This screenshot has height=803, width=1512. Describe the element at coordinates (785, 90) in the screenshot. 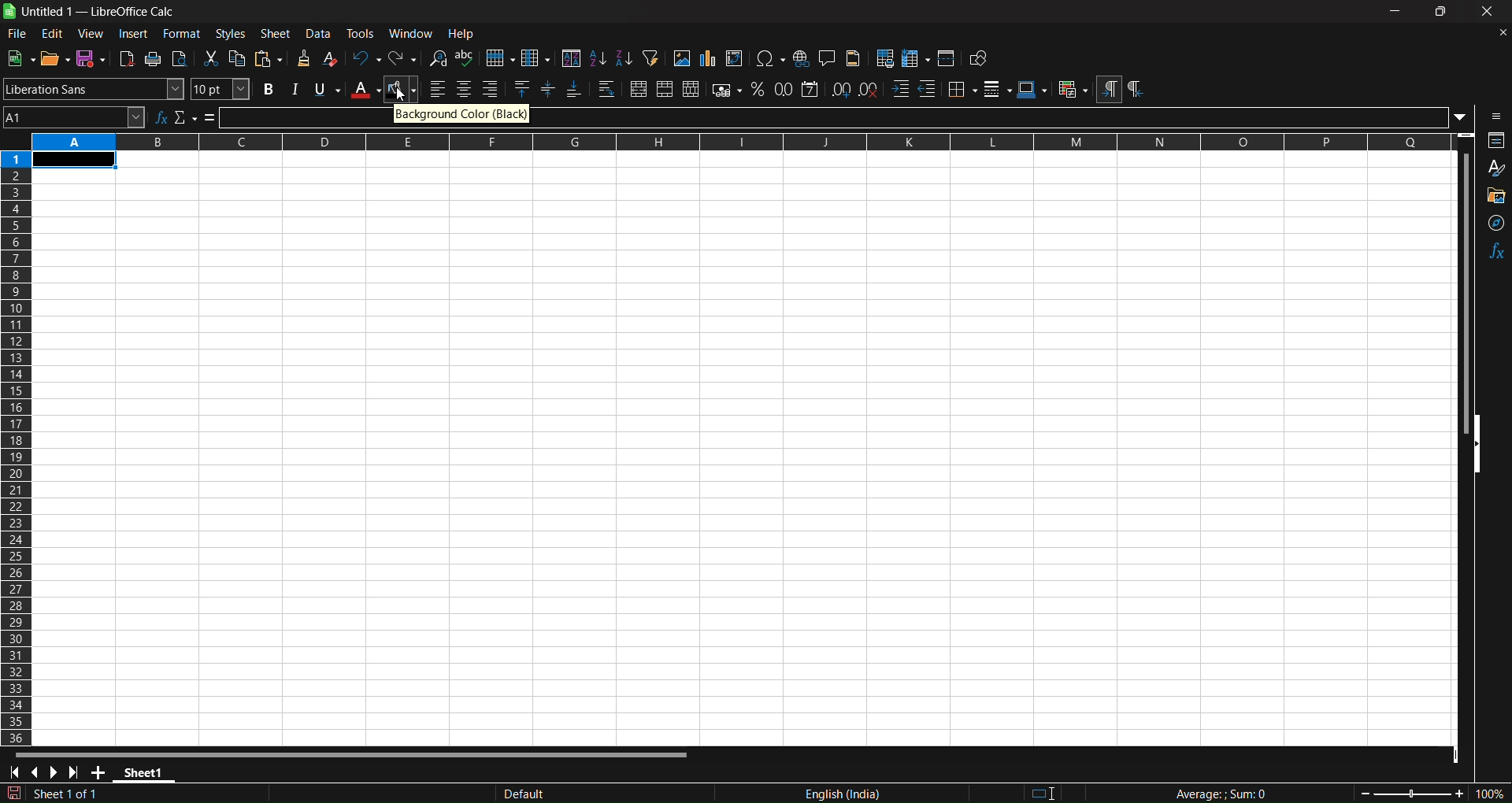

I see `format as number` at that location.